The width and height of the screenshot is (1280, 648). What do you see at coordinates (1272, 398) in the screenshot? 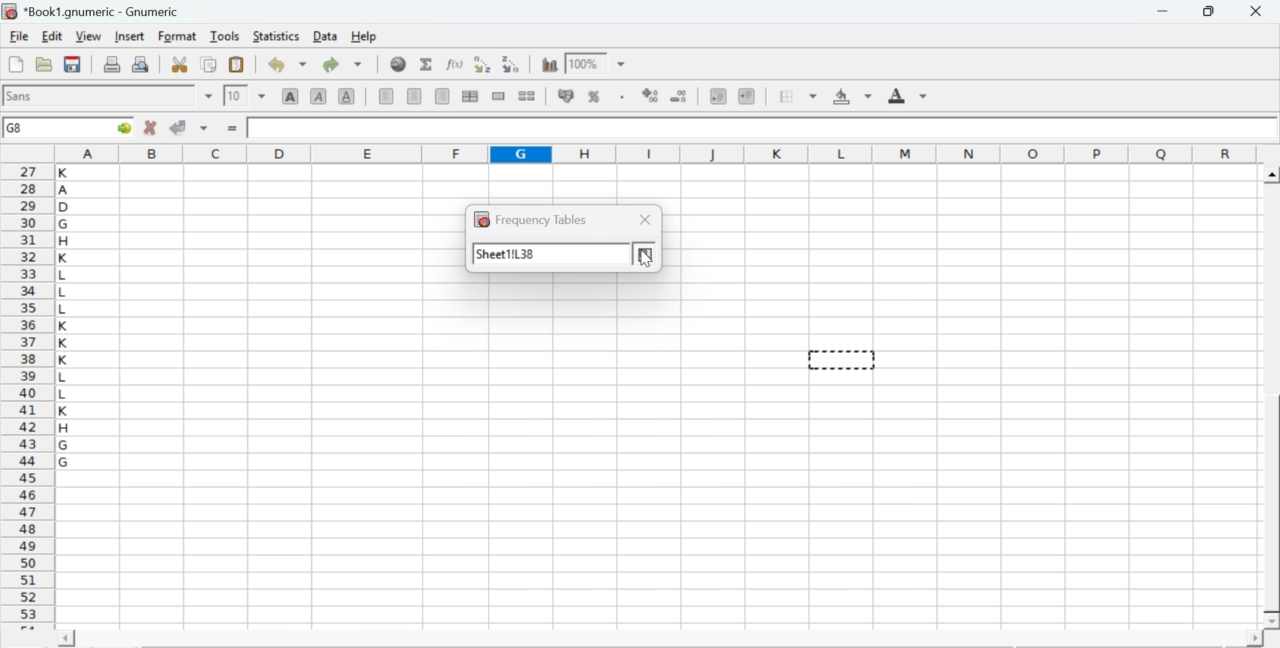
I see `scroll bar` at bounding box center [1272, 398].